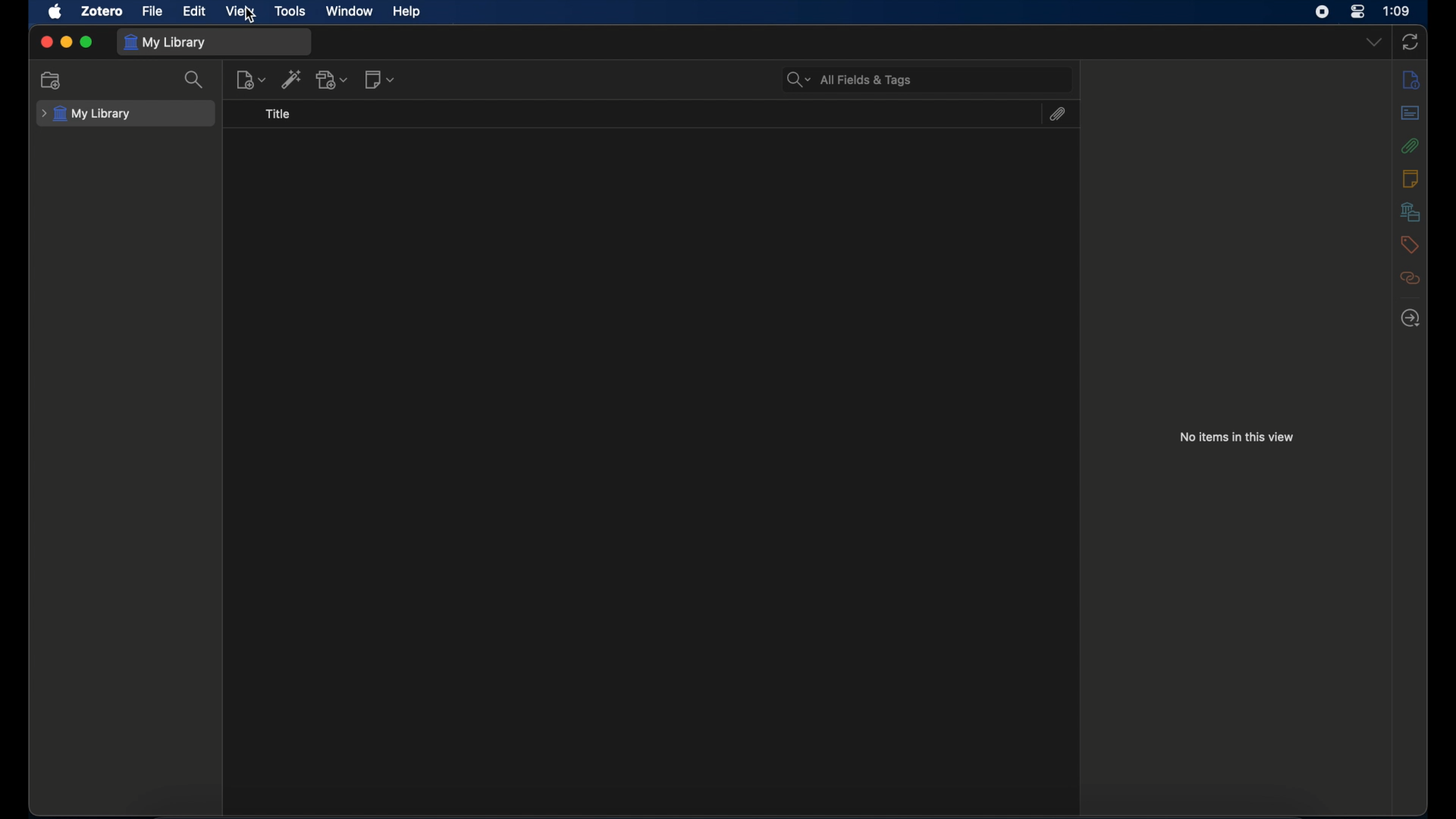 Image resolution: width=1456 pixels, height=819 pixels. What do you see at coordinates (252, 16) in the screenshot?
I see `cursor` at bounding box center [252, 16].